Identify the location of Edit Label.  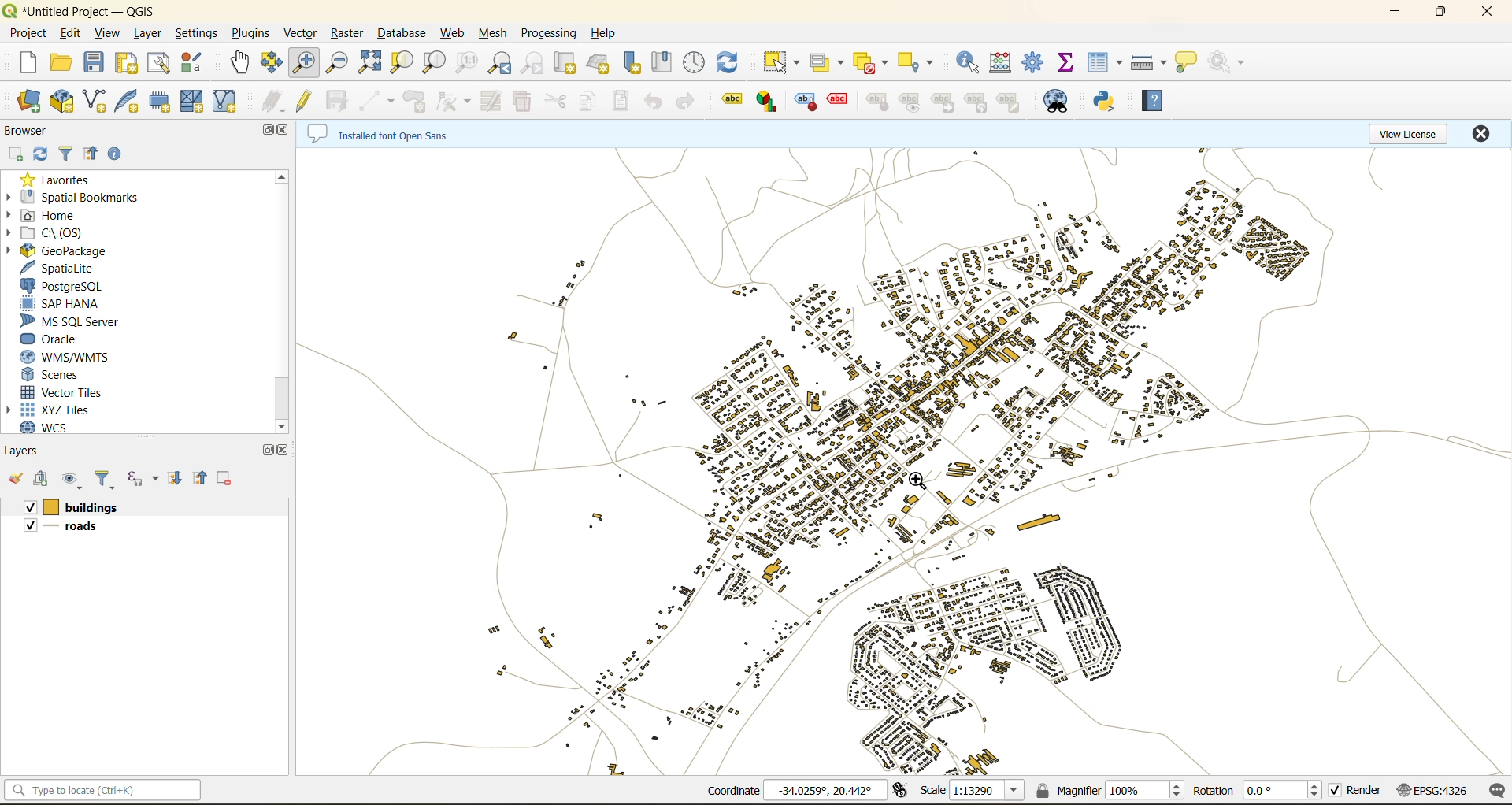
(1010, 102).